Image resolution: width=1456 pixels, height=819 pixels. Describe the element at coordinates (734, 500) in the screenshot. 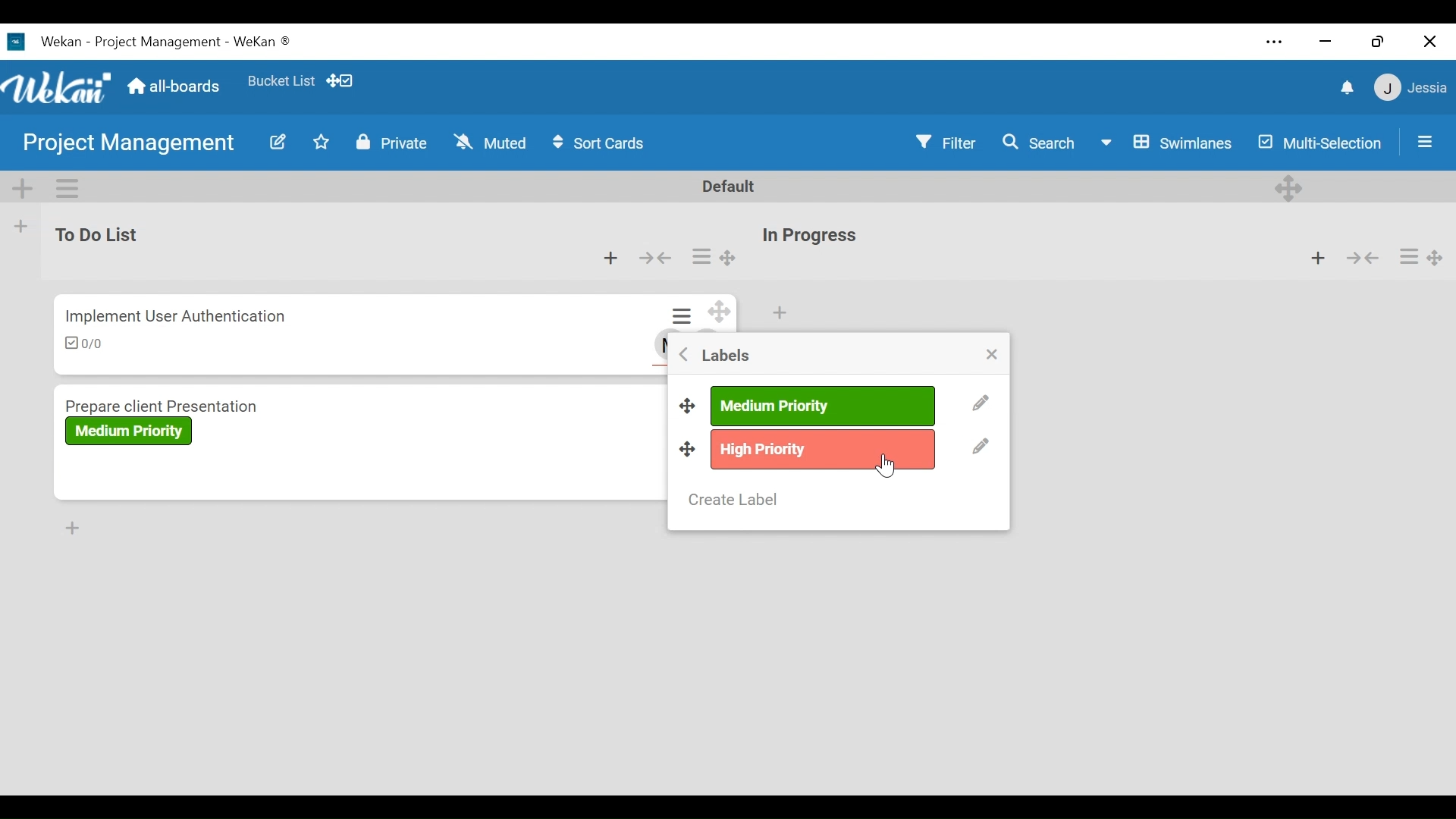

I see `Create label` at that location.